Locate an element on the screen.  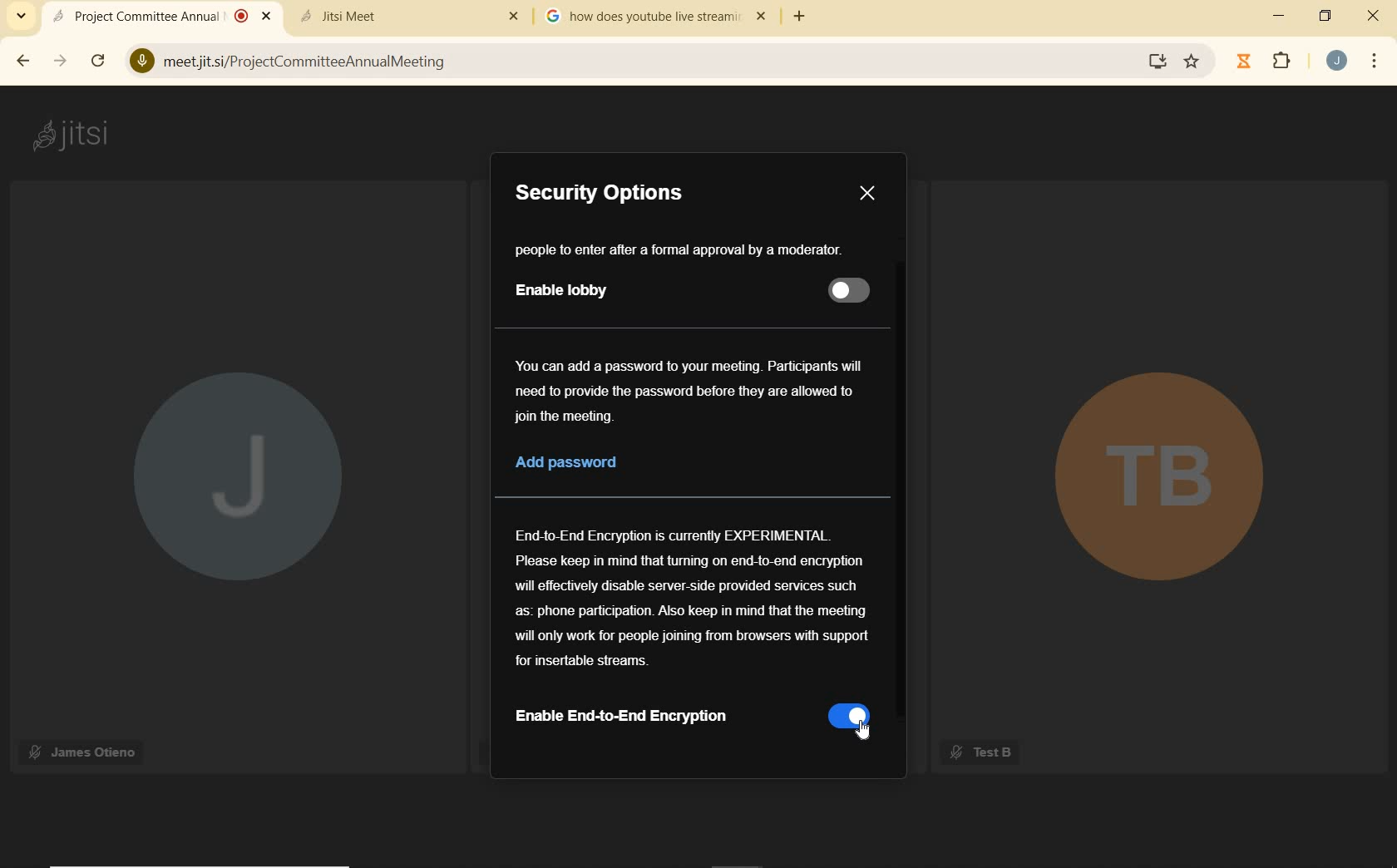
End-to-End Encryption is currently EXPERIMENTALPlease keep in mind that turning on end-to-end encryptionwill effectively disable server-side provided services suchas: phone participation. Also keep in mind that the meetingwill only work for people joining from browsers with support for insertable streams. is located at coordinates (694, 599).